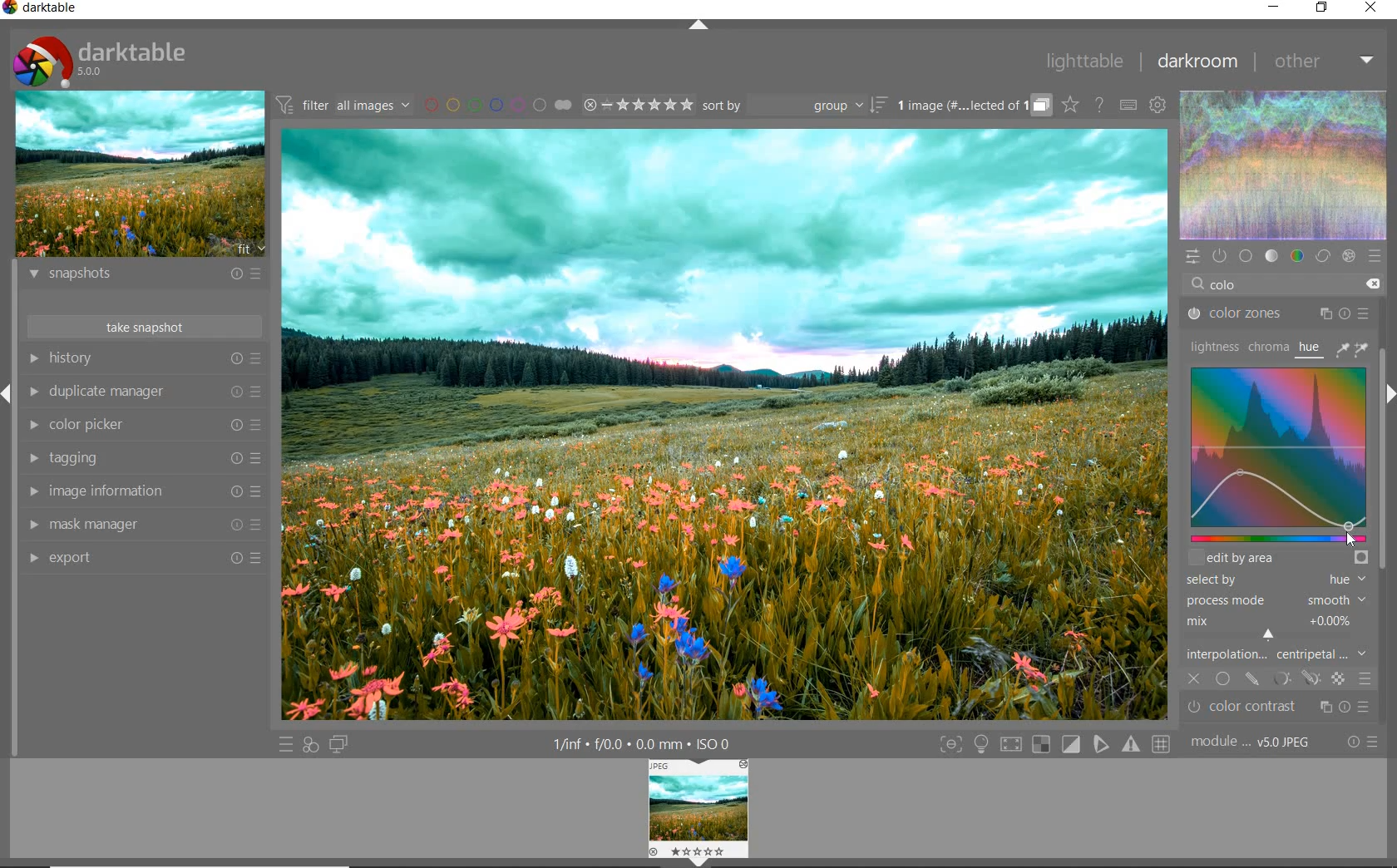 The height and width of the screenshot is (868, 1397). I want to click on duplicate manager, so click(147, 393).